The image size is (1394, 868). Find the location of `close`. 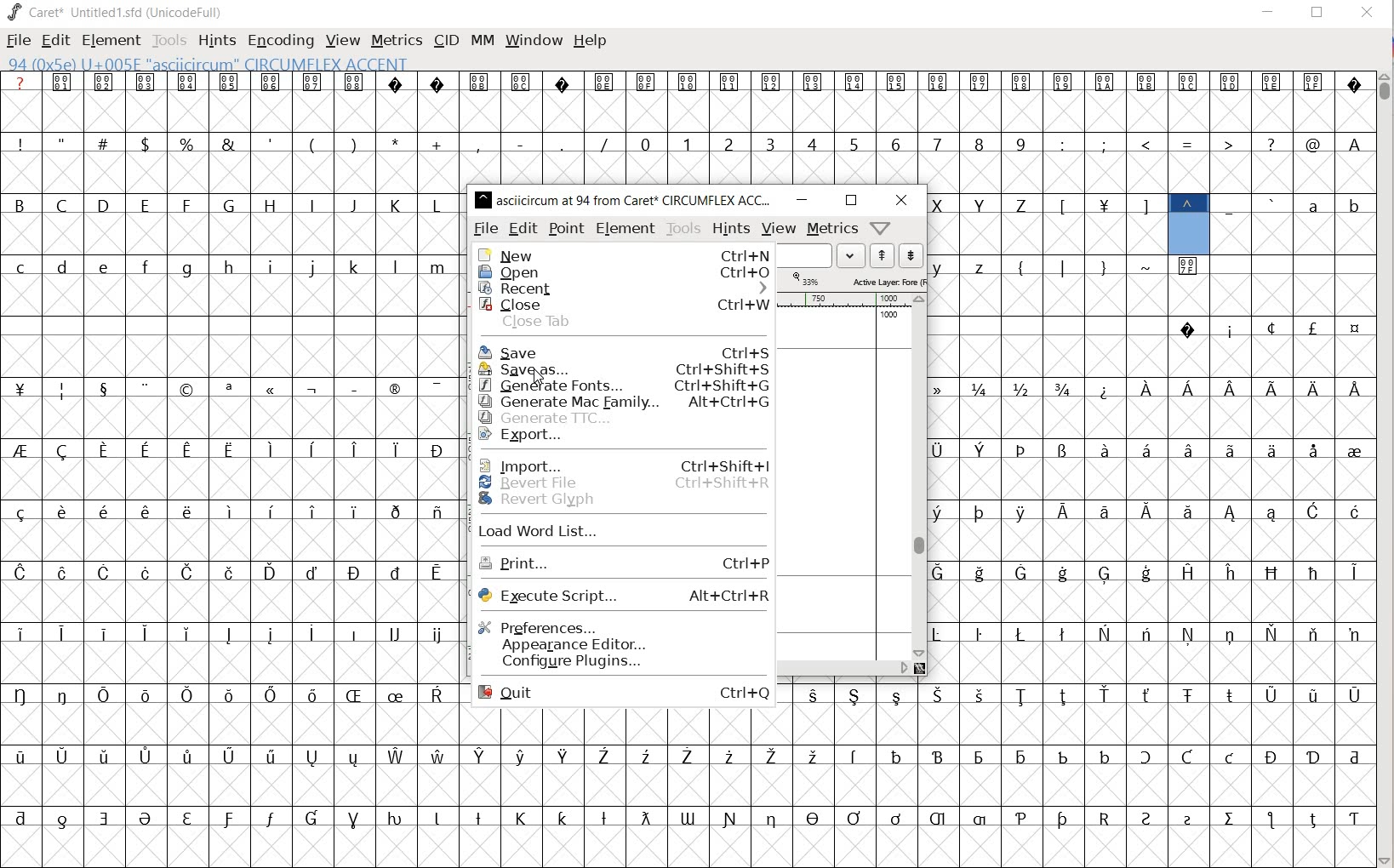

close is located at coordinates (626, 305).